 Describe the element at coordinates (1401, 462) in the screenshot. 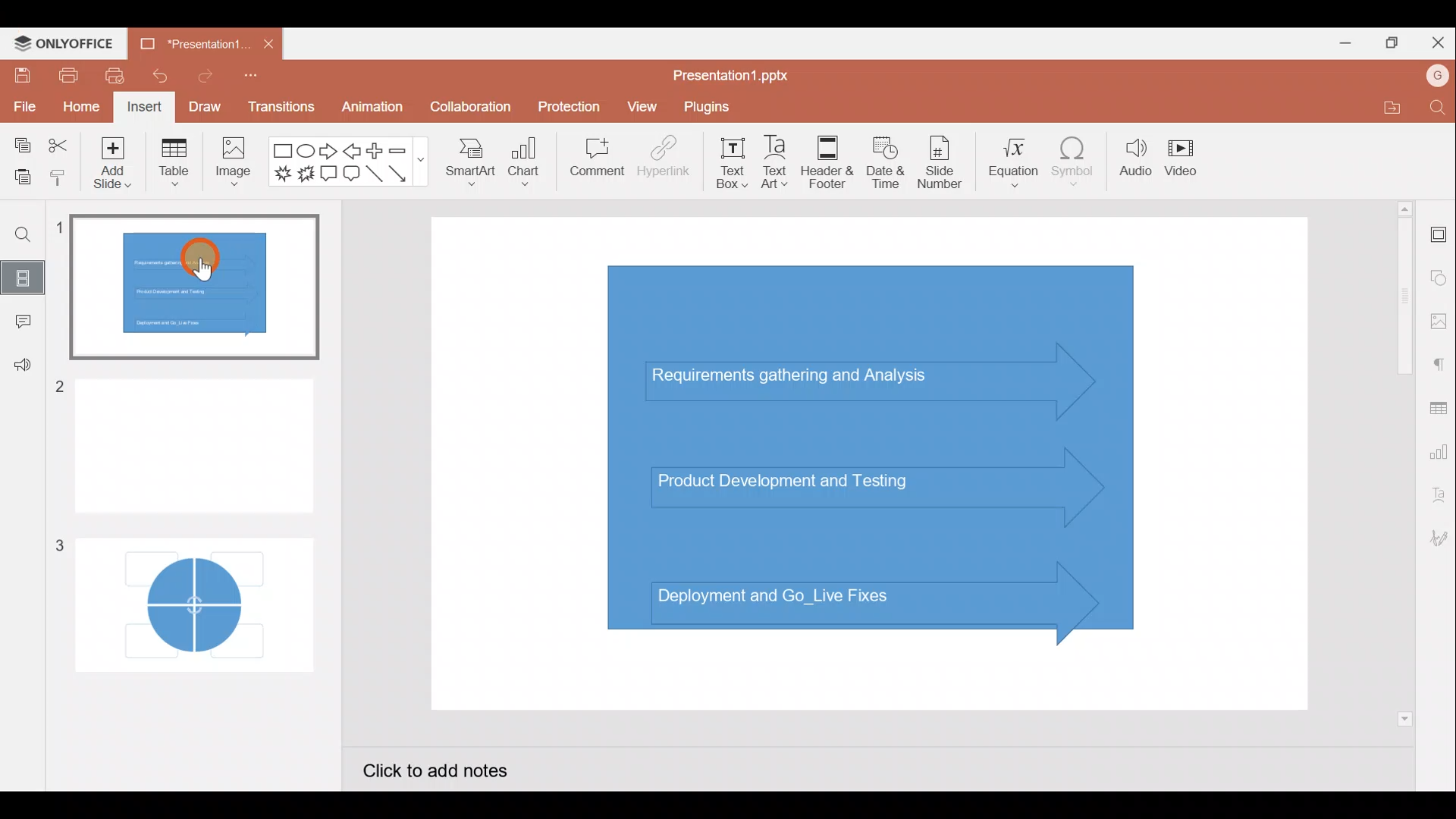

I see `Vertical scroll bar` at that location.